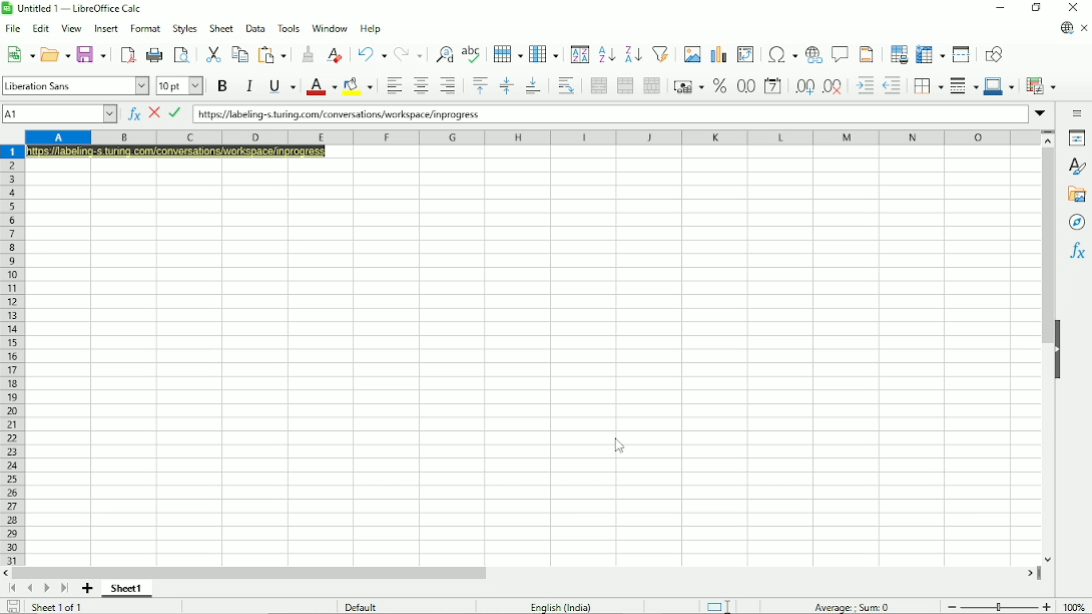  Describe the element at coordinates (107, 28) in the screenshot. I see `insert` at that location.